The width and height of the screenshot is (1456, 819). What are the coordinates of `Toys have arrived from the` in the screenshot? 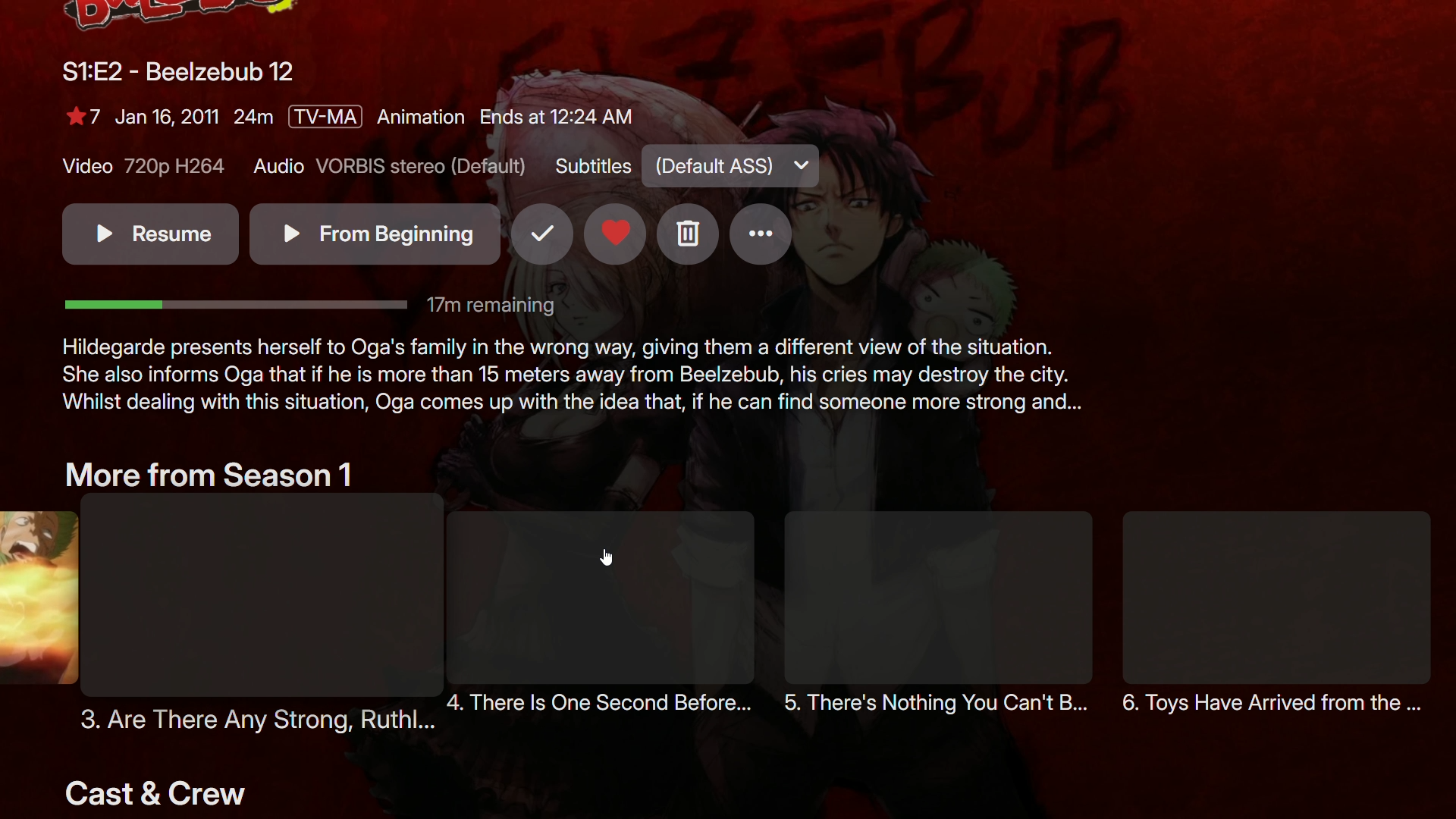 It's located at (1271, 615).